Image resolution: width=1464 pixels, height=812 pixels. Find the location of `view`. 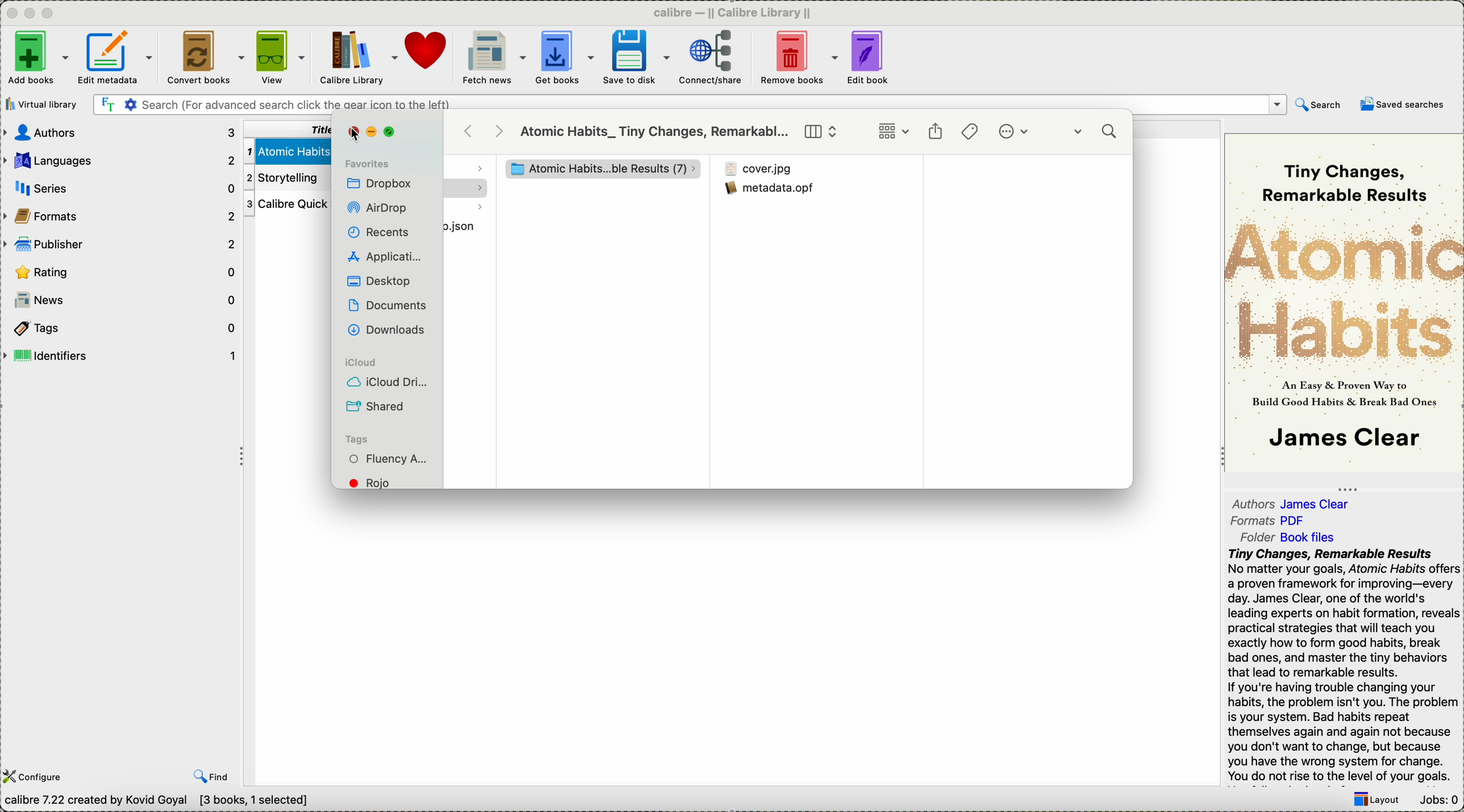

view is located at coordinates (281, 58).